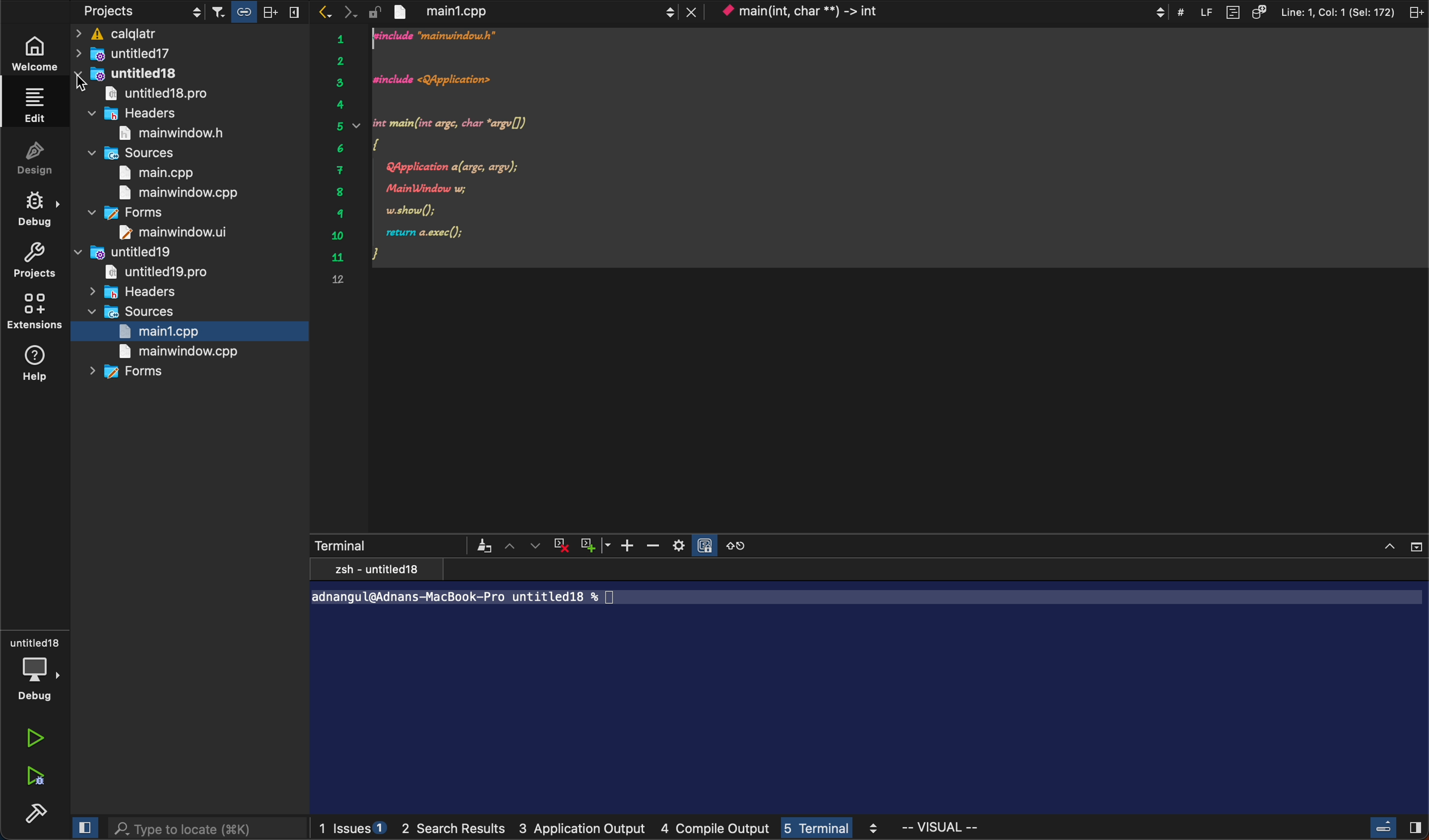 The image size is (1429, 840). Describe the element at coordinates (878, 155) in the screenshot. I see `code` at that location.